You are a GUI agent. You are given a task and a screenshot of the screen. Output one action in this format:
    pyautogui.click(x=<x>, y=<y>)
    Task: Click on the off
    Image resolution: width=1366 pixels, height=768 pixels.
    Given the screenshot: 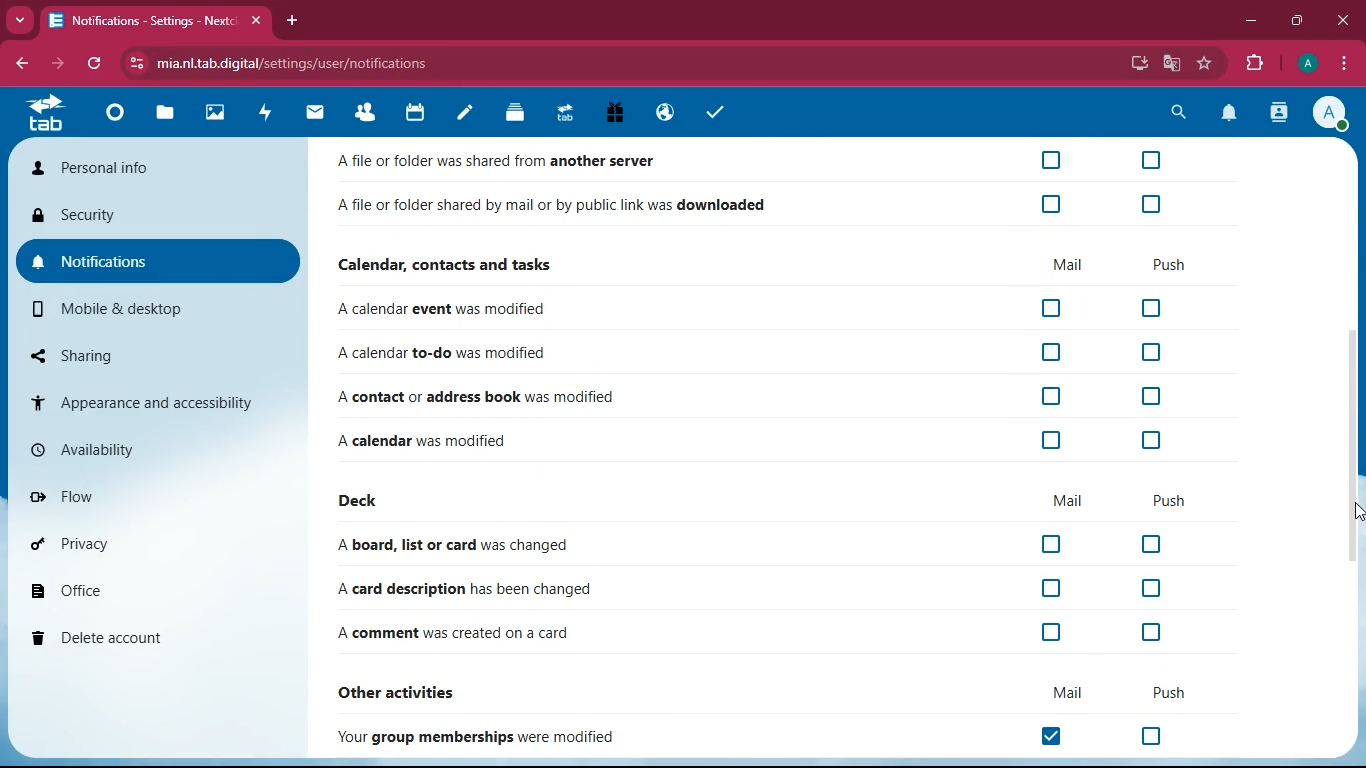 What is the action you would take?
    pyautogui.click(x=1153, y=201)
    